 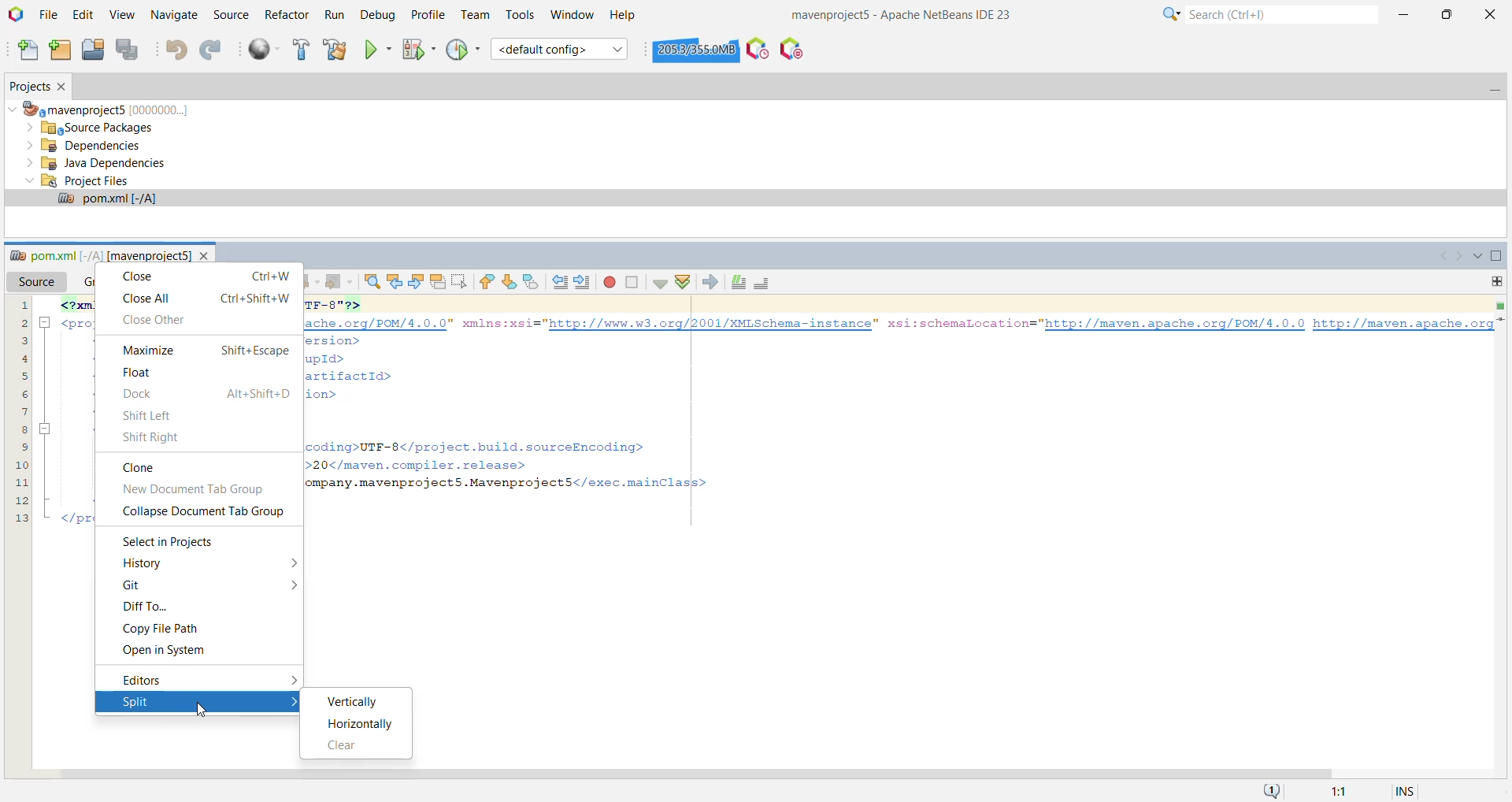 I want to click on 13, so click(x=20, y=518).